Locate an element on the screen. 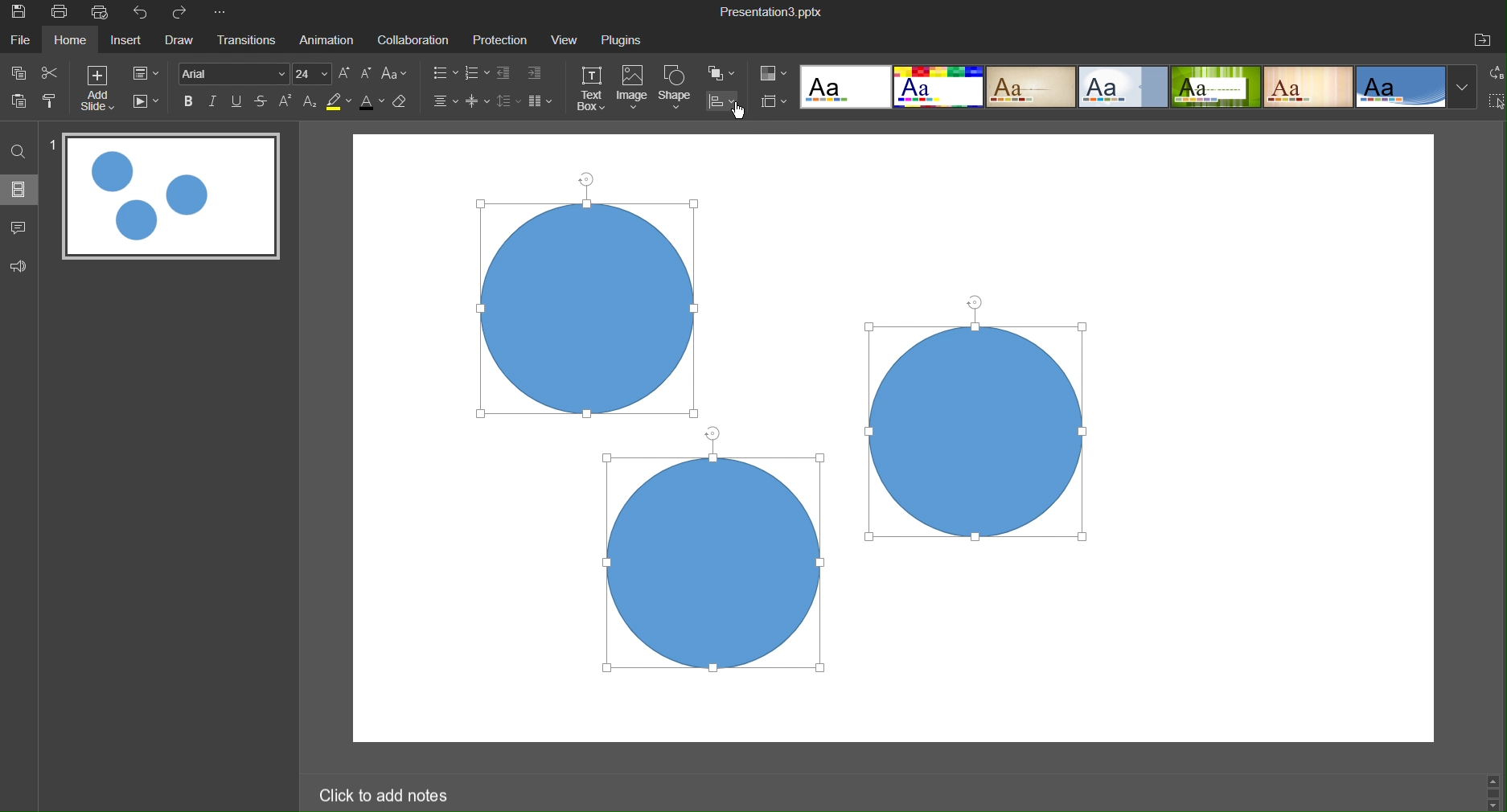 The height and width of the screenshot is (812, 1507). Transitions is located at coordinates (248, 42).